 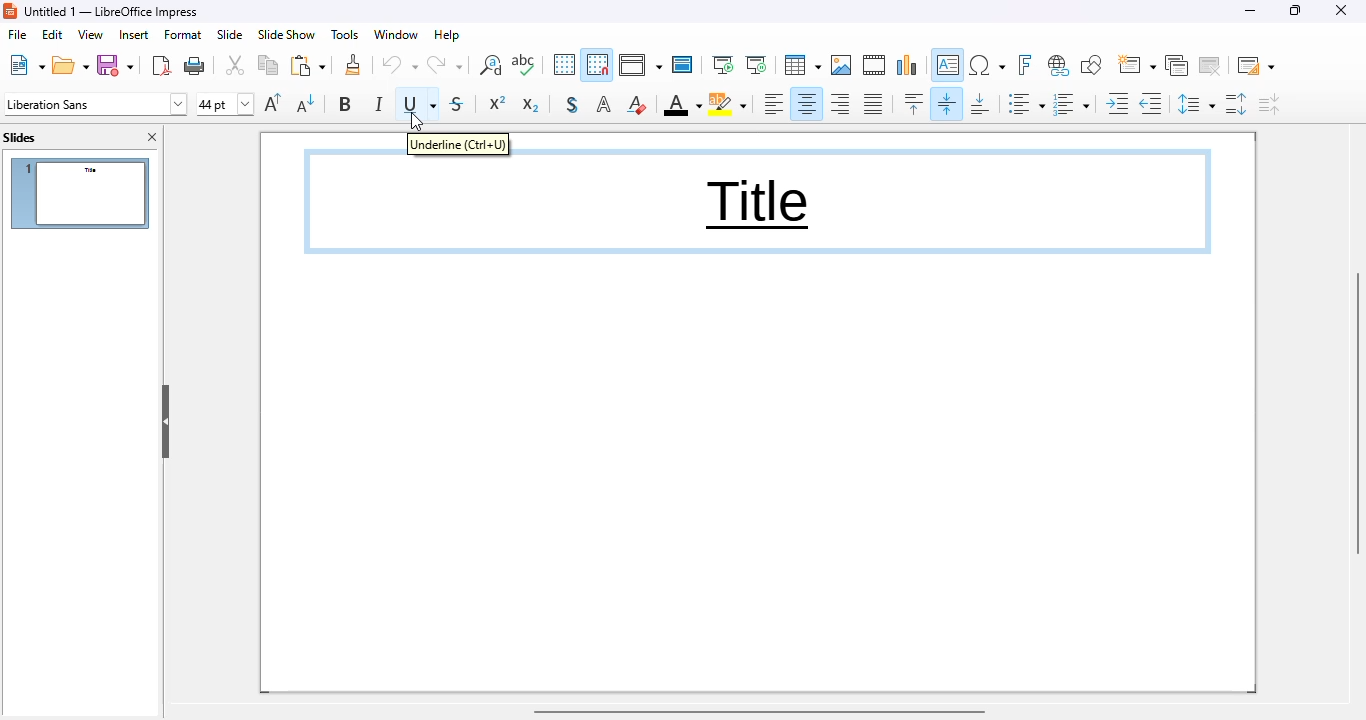 What do you see at coordinates (446, 64) in the screenshot?
I see `redo` at bounding box center [446, 64].